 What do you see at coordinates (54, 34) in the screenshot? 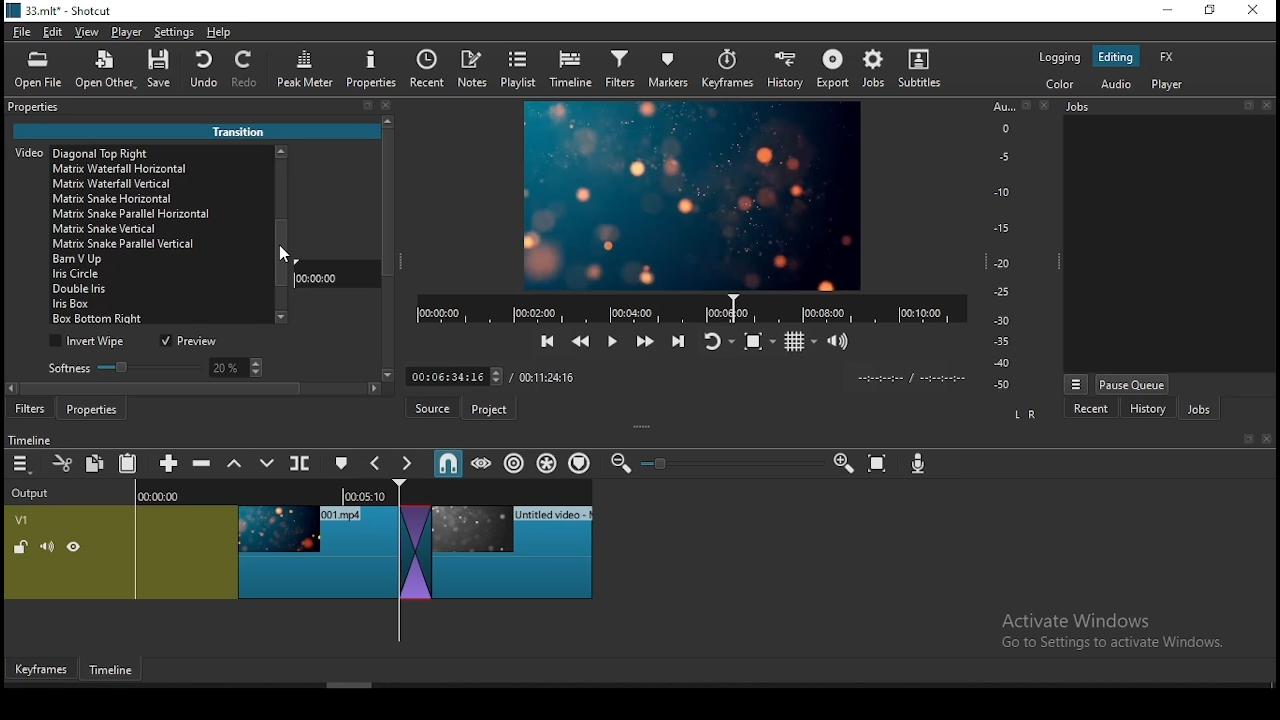
I see `edit` at bounding box center [54, 34].